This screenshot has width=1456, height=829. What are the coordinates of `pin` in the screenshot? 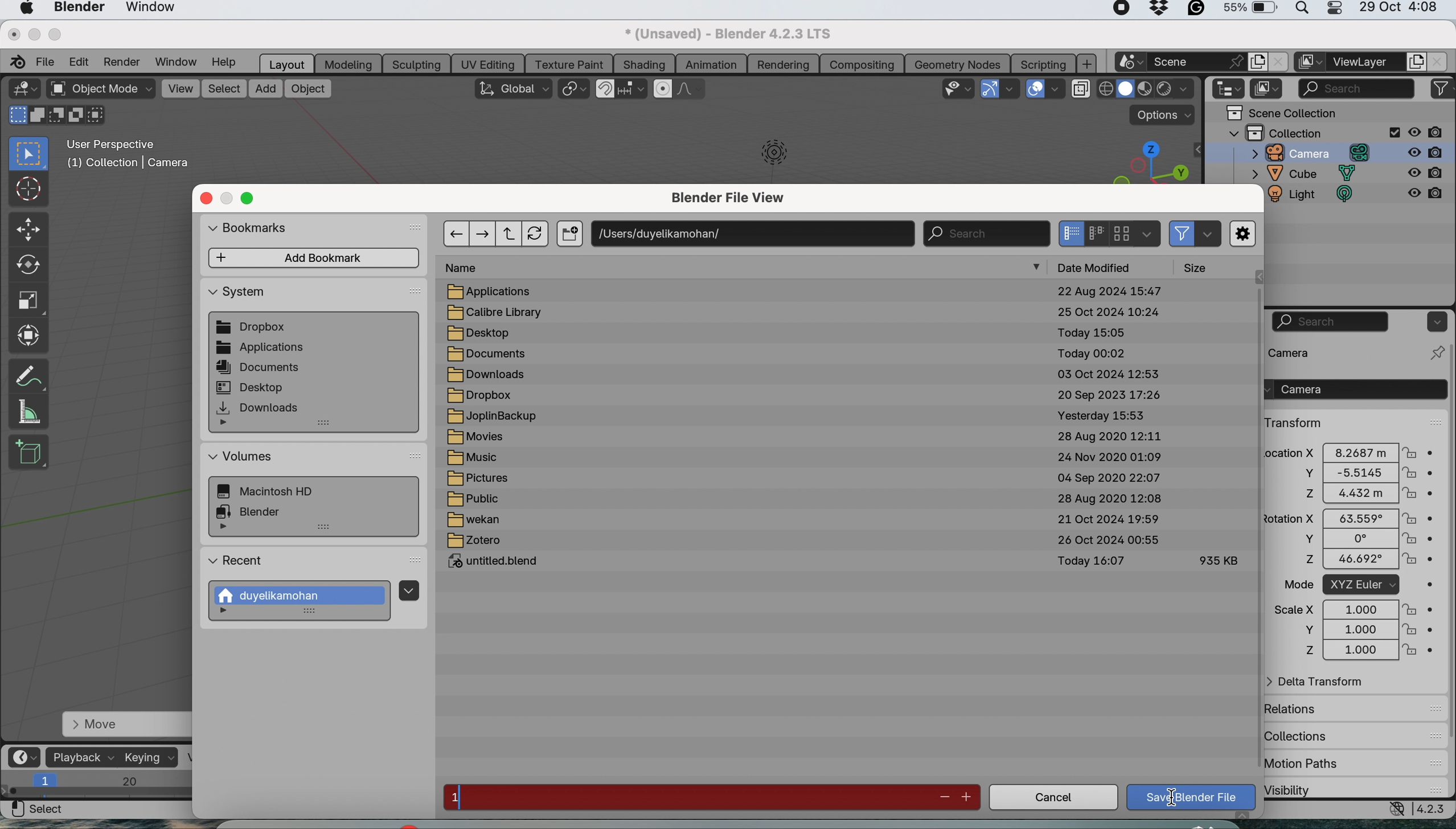 It's located at (1435, 352).